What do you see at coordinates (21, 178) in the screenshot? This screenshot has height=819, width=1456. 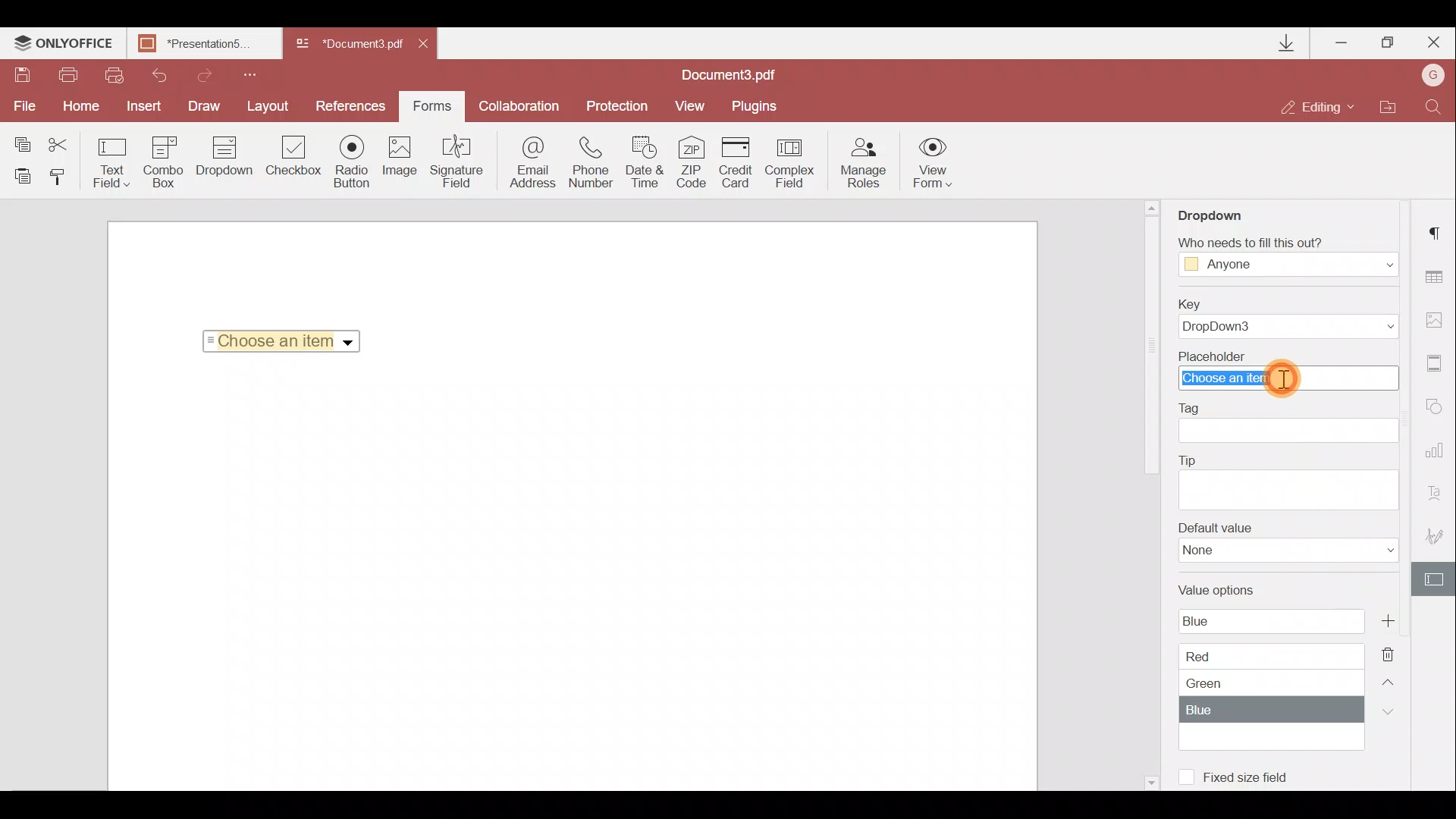 I see `Paste` at bounding box center [21, 178].